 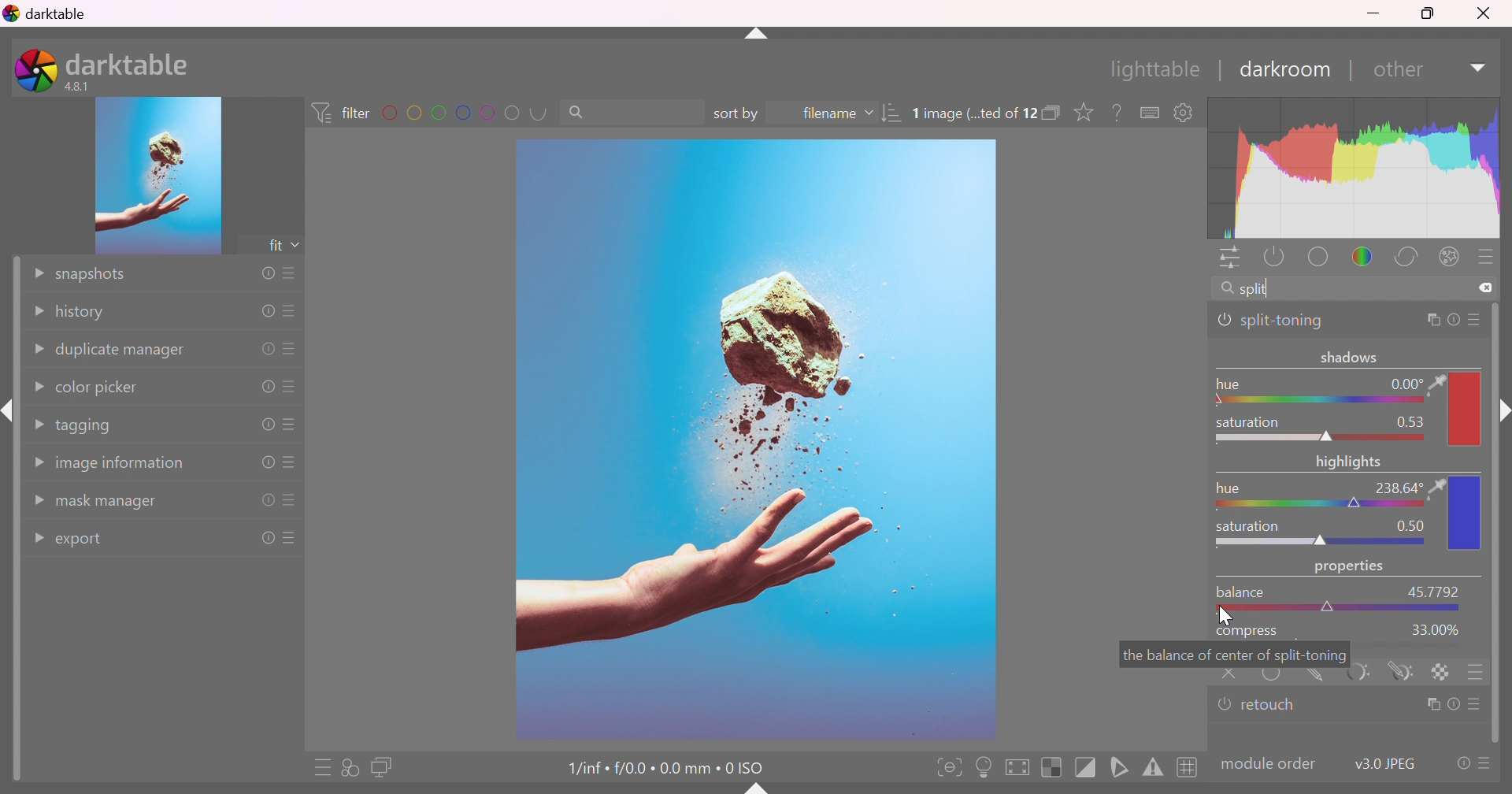 What do you see at coordinates (758, 440) in the screenshot?
I see `image` at bounding box center [758, 440].